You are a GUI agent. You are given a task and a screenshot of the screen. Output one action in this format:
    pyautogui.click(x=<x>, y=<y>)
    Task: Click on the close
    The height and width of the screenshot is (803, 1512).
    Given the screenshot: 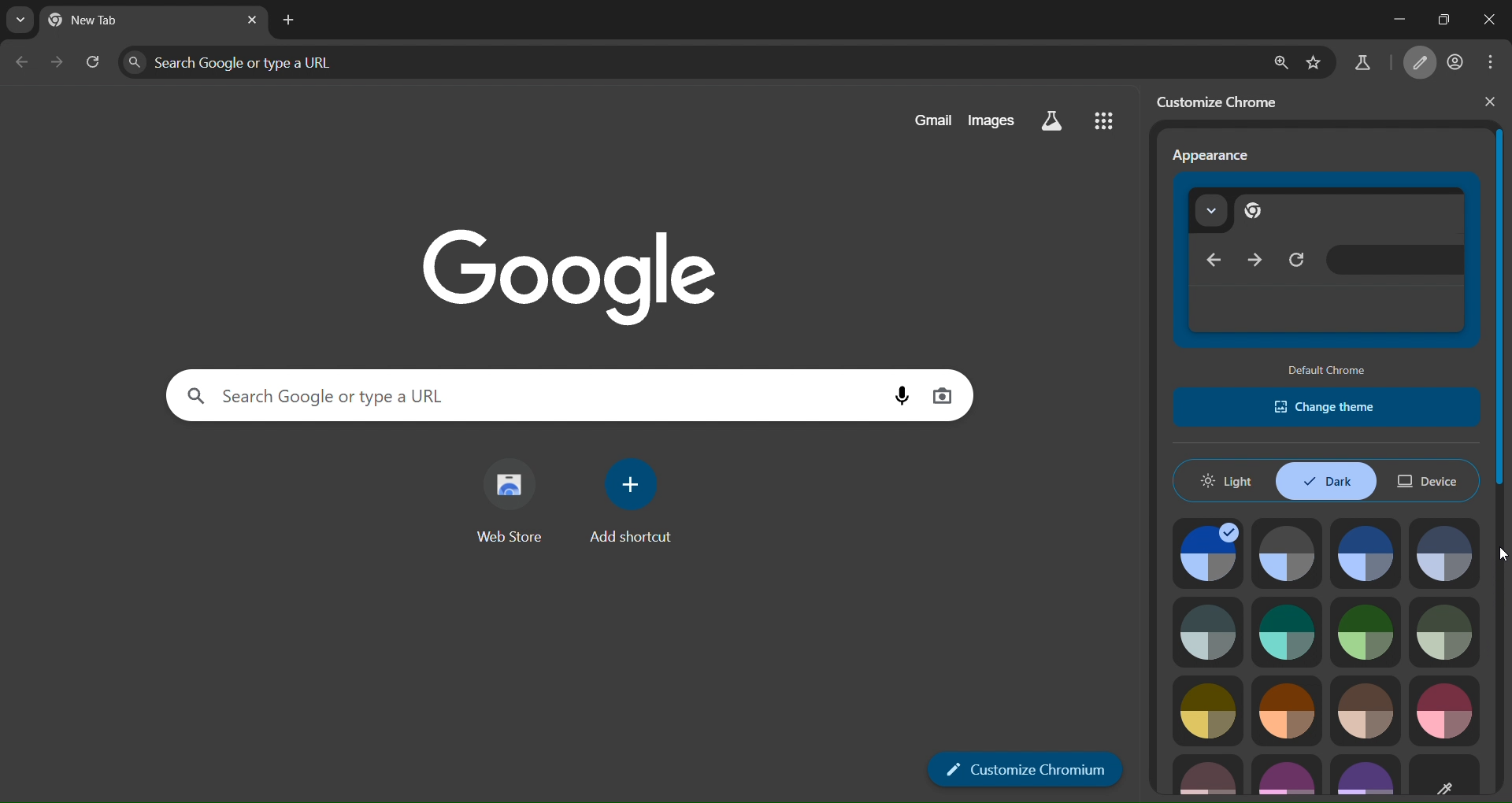 What is the action you would take?
    pyautogui.click(x=1490, y=102)
    